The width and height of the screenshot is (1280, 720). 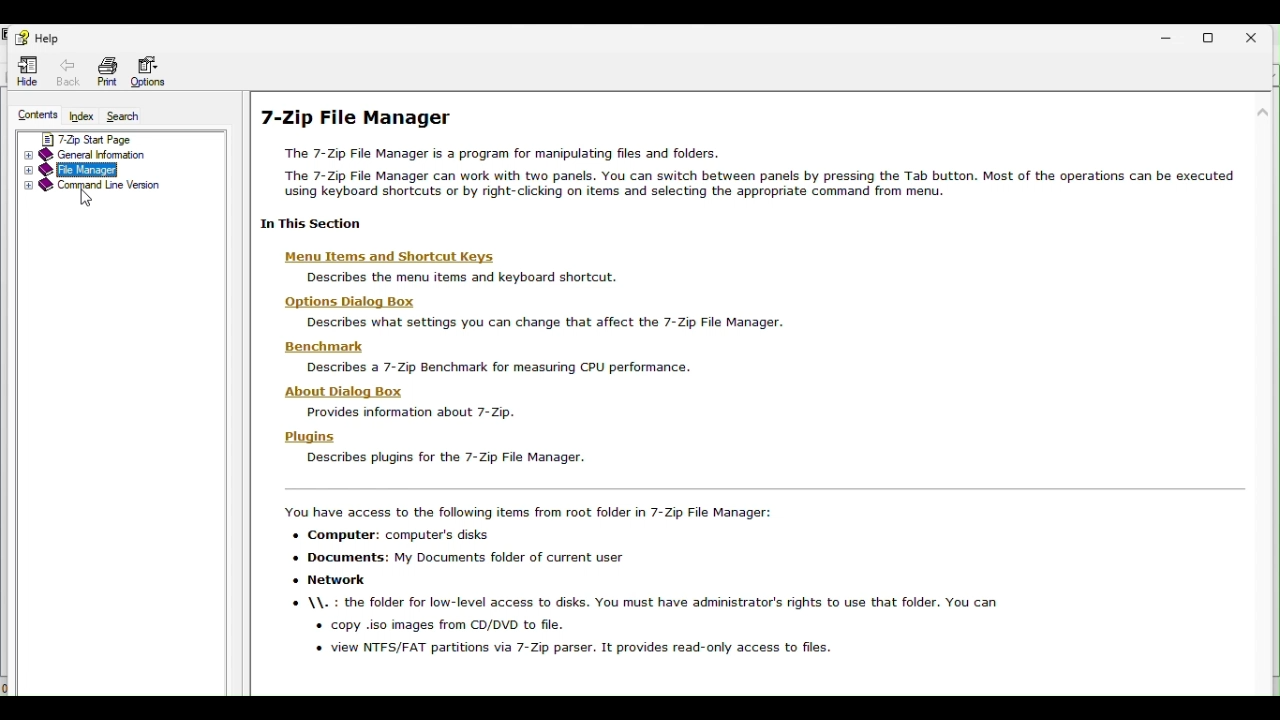 I want to click on 7-Zip File Manager, so click(x=353, y=113).